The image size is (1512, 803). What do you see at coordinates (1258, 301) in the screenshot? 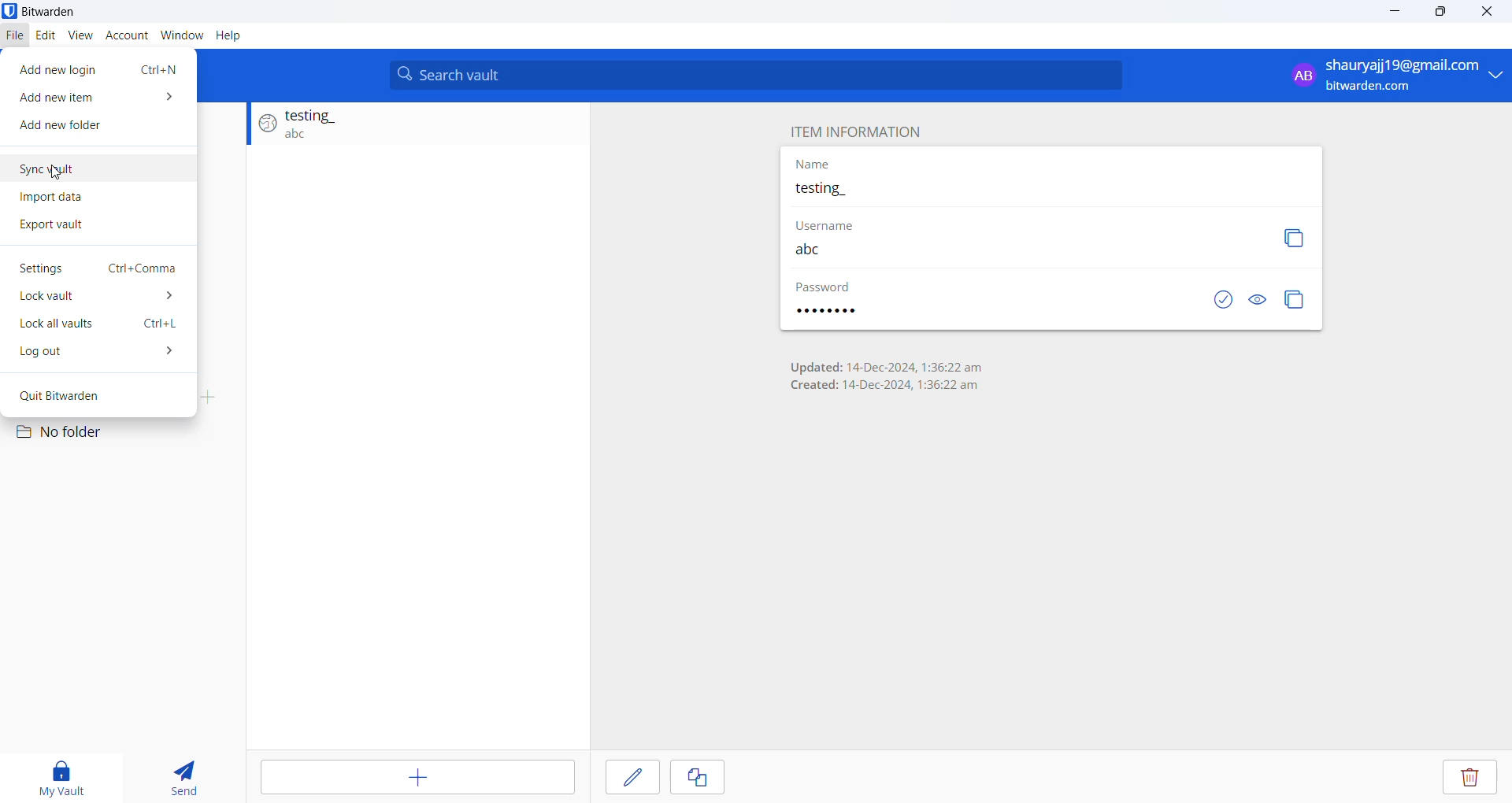
I see `Visibility` at bounding box center [1258, 301].